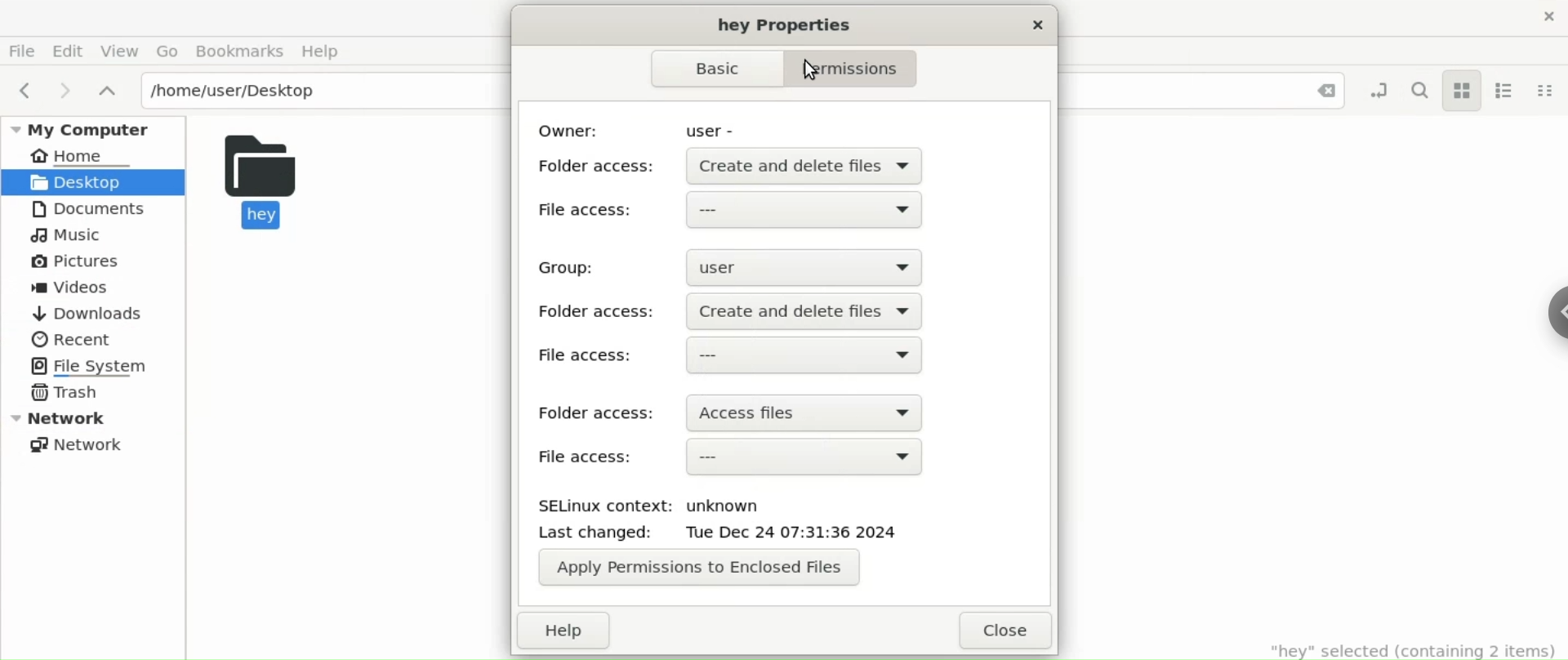 This screenshot has height=660, width=1568. I want to click on user, so click(710, 126).